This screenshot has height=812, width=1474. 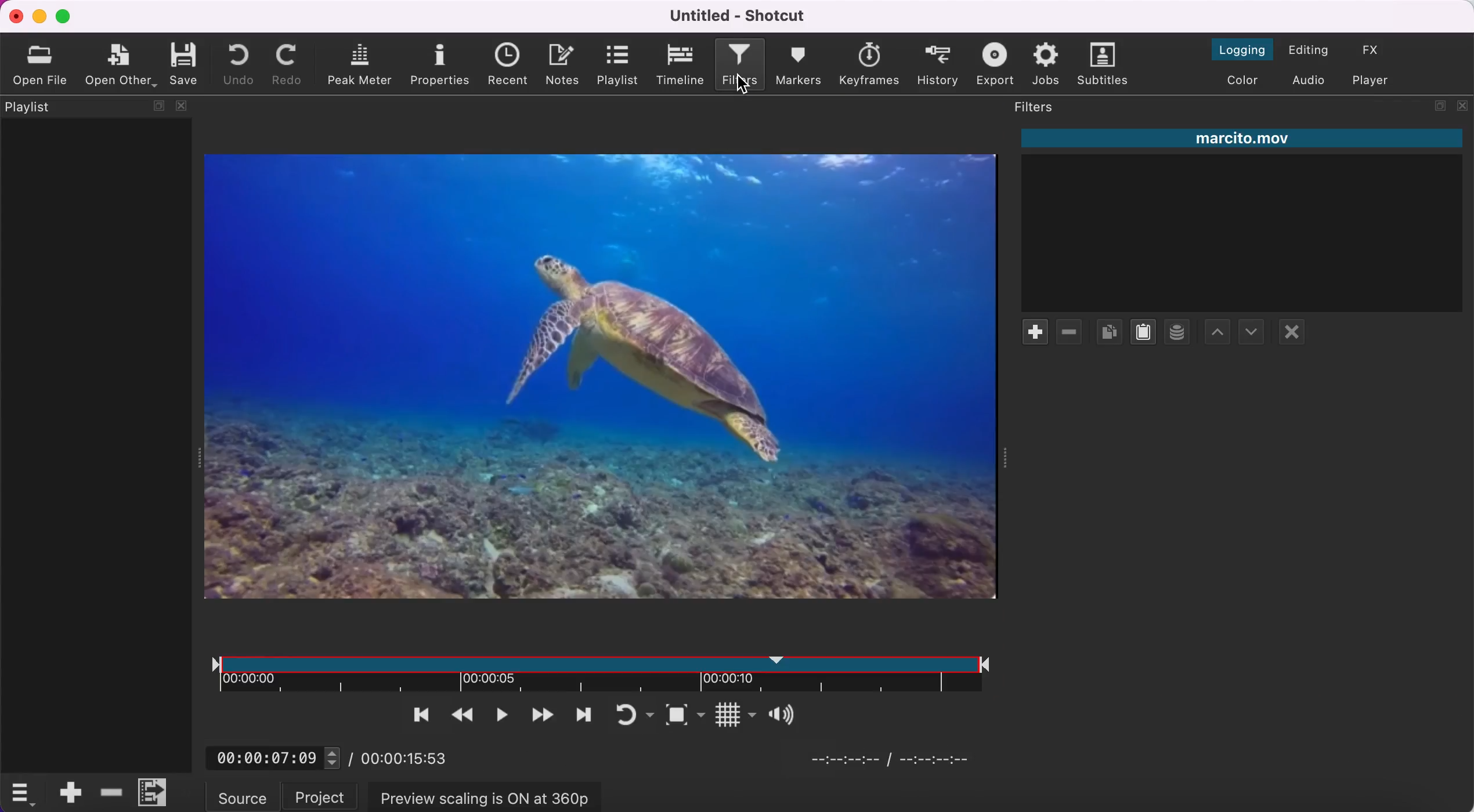 I want to click on redo, so click(x=289, y=64).